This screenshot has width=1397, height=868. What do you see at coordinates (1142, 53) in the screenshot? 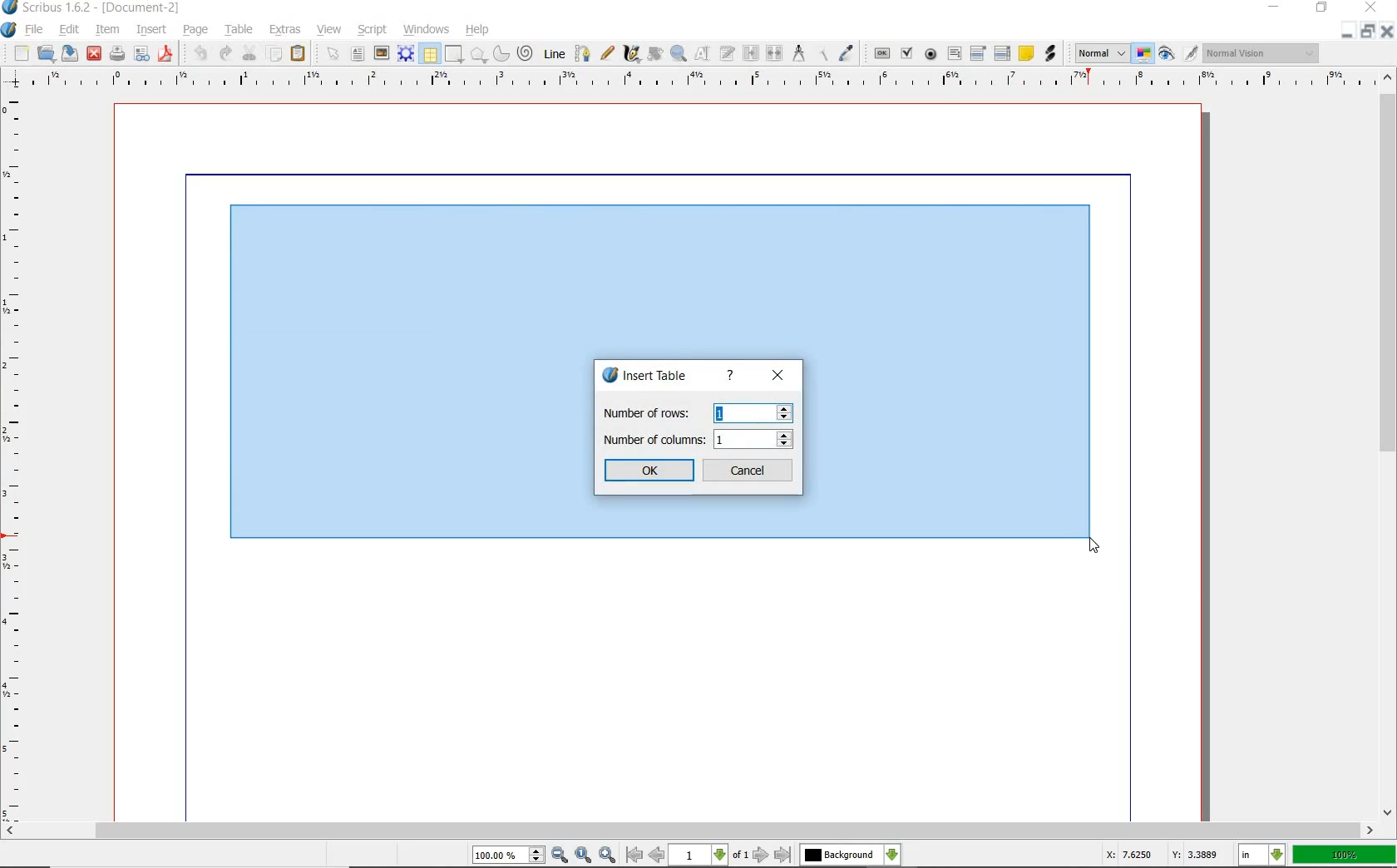
I see `toggle color management mode` at bounding box center [1142, 53].